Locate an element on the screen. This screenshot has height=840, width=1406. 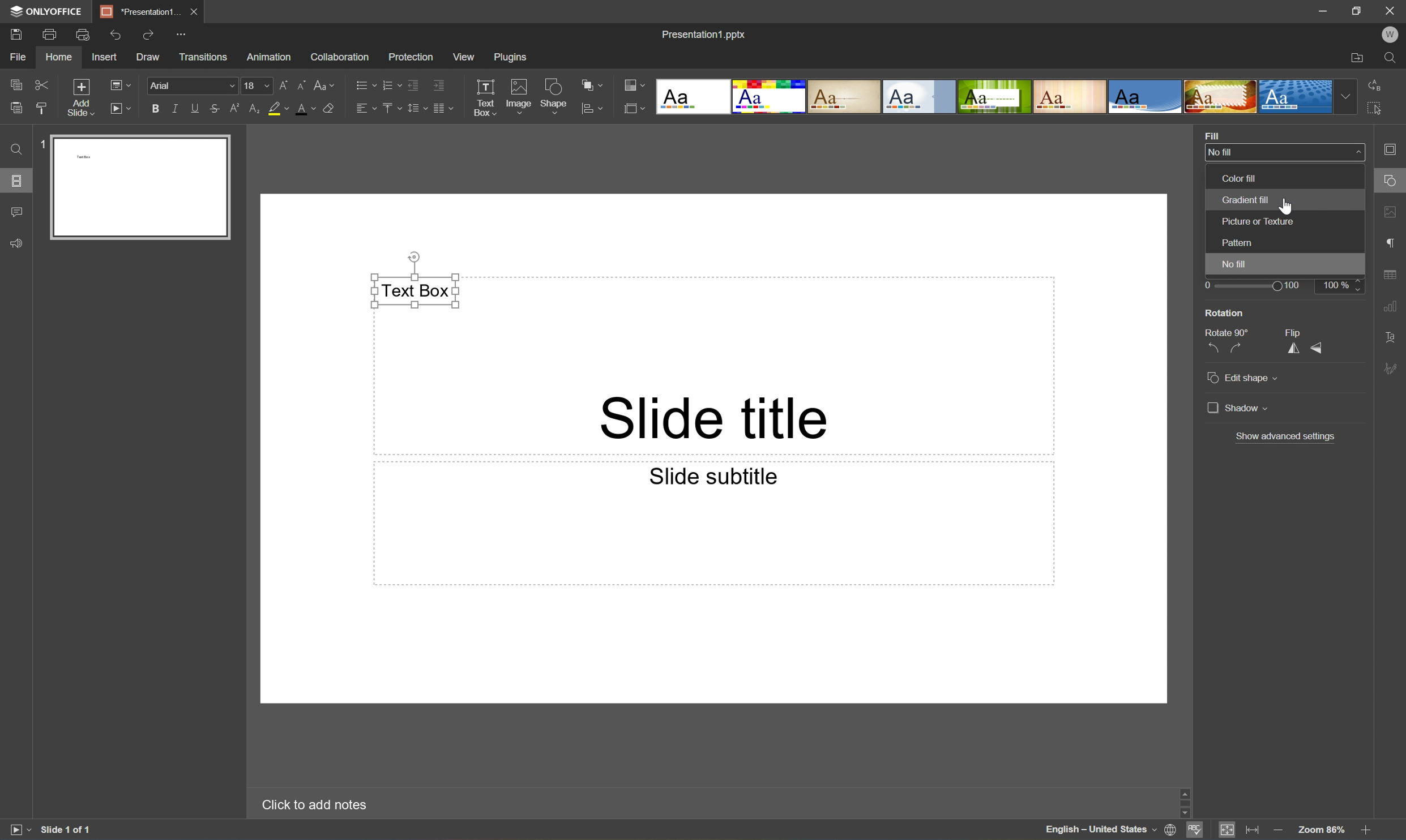
Shape is located at coordinates (553, 96).